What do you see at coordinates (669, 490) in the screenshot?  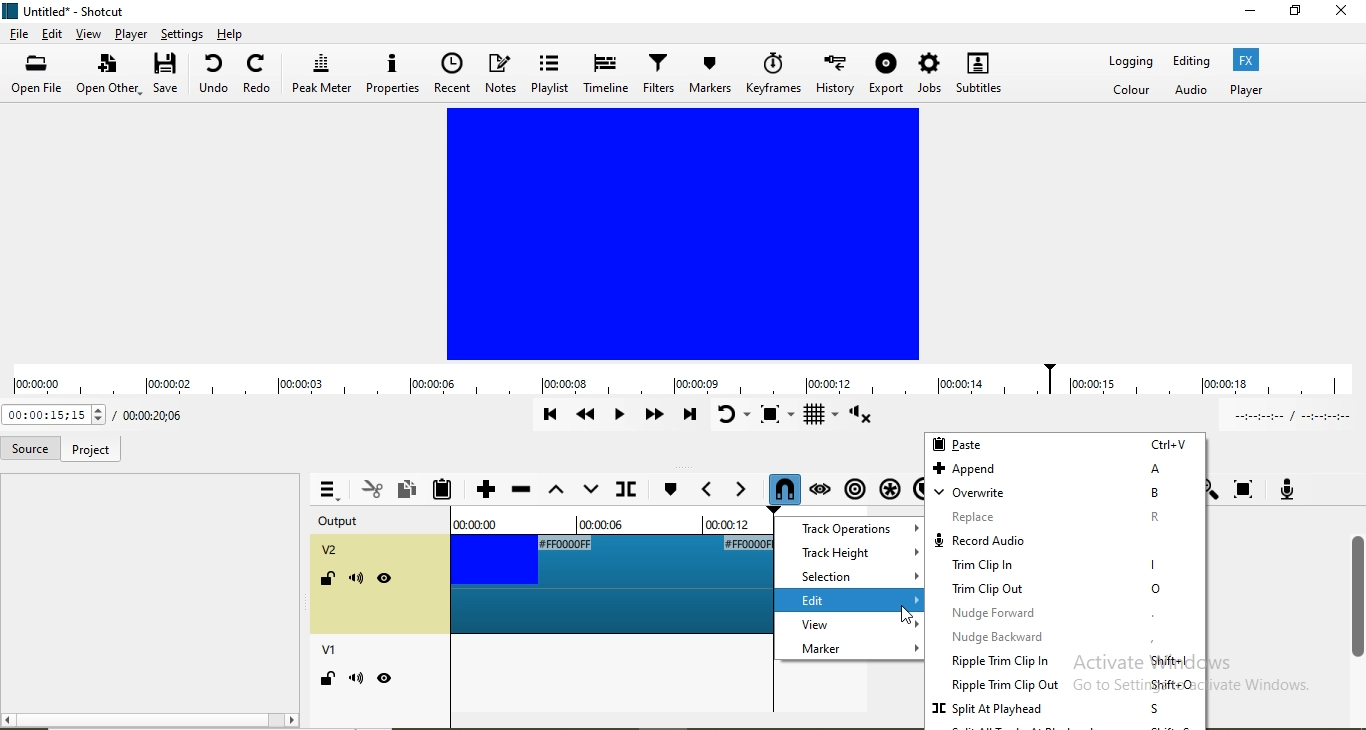 I see `Next marker` at bounding box center [669, 490].